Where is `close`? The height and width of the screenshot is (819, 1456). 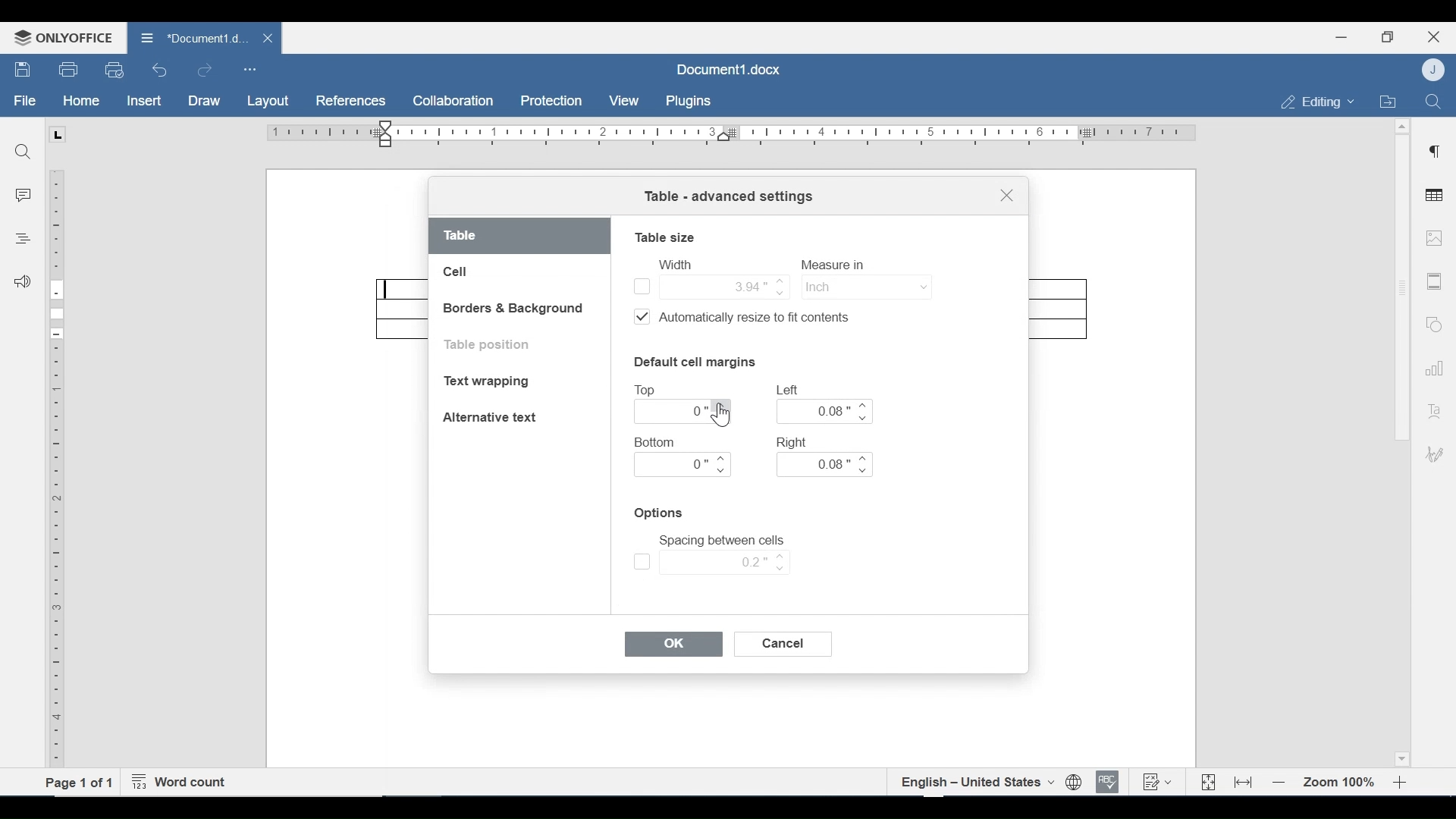 close is located at coordinates (270, 37).